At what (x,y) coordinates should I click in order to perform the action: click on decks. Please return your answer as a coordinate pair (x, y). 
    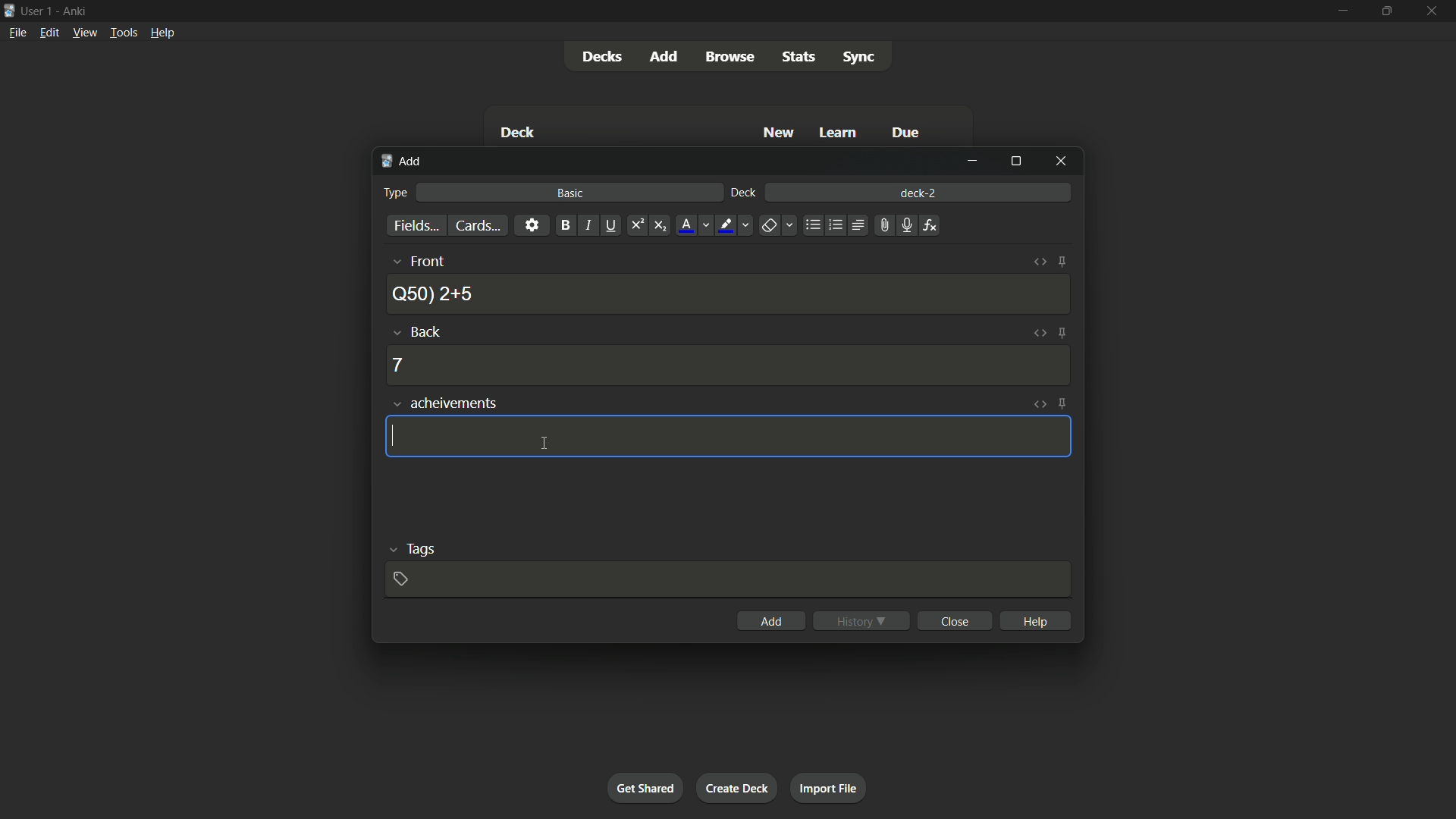
    Looking at the image, I should click on (600, 56).